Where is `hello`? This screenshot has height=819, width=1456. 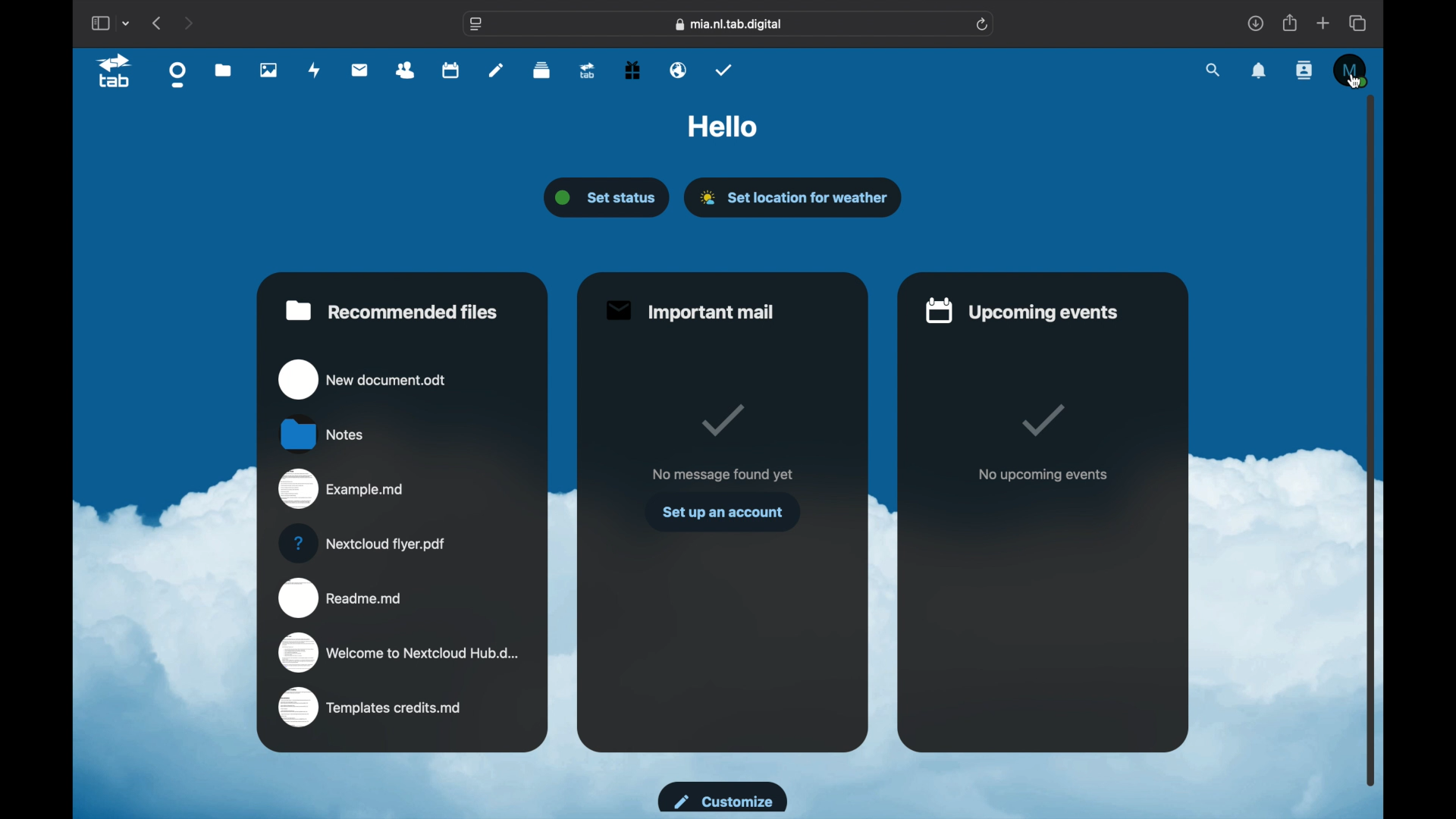
hello is located at coordinates (724, 125).